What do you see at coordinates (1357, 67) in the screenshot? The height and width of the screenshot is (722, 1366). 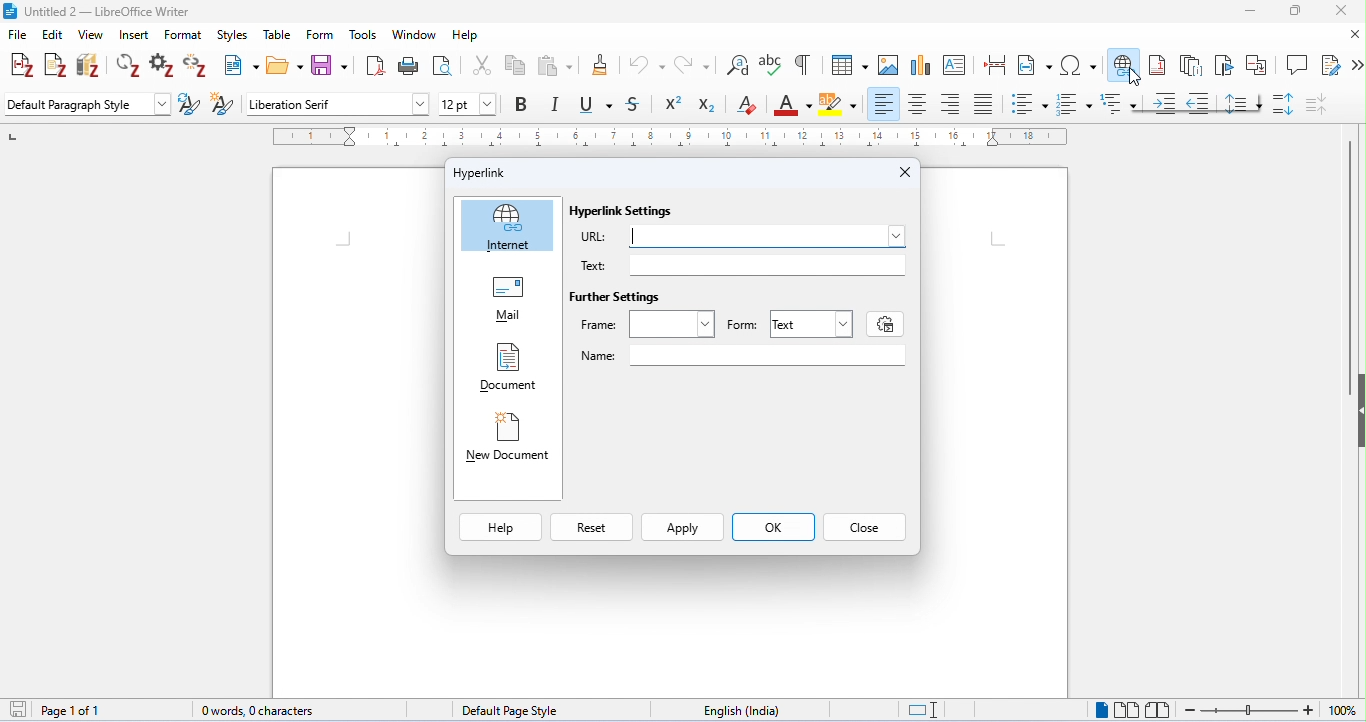 I see `more` at bounding box center [1357, 67].